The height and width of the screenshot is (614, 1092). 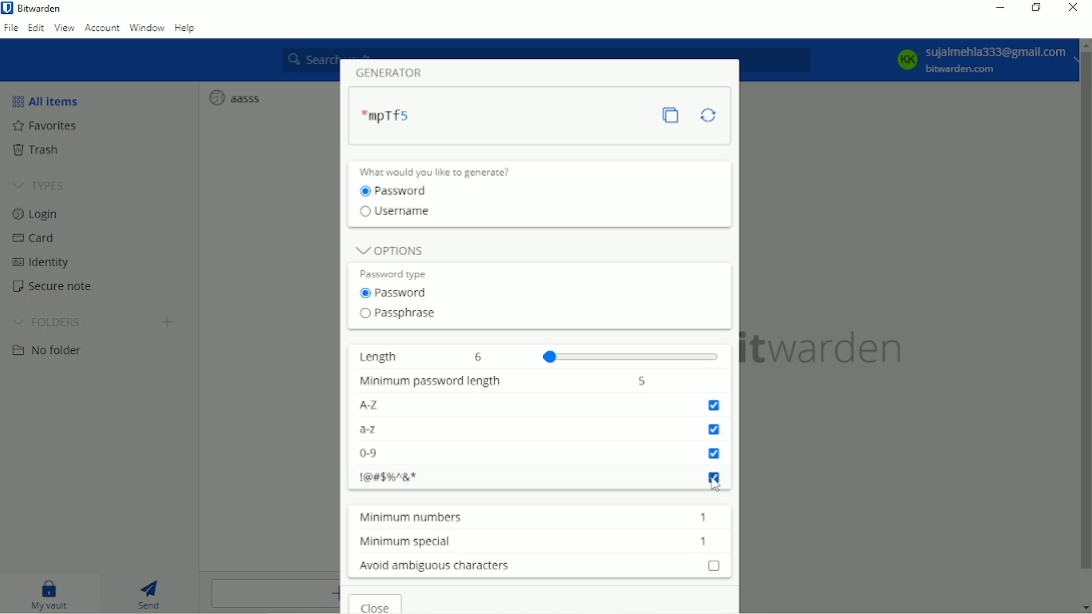 What do you see at coordinates (650, 381) in the screenshot?
I see `input password length` at bounding box center [650, 381].